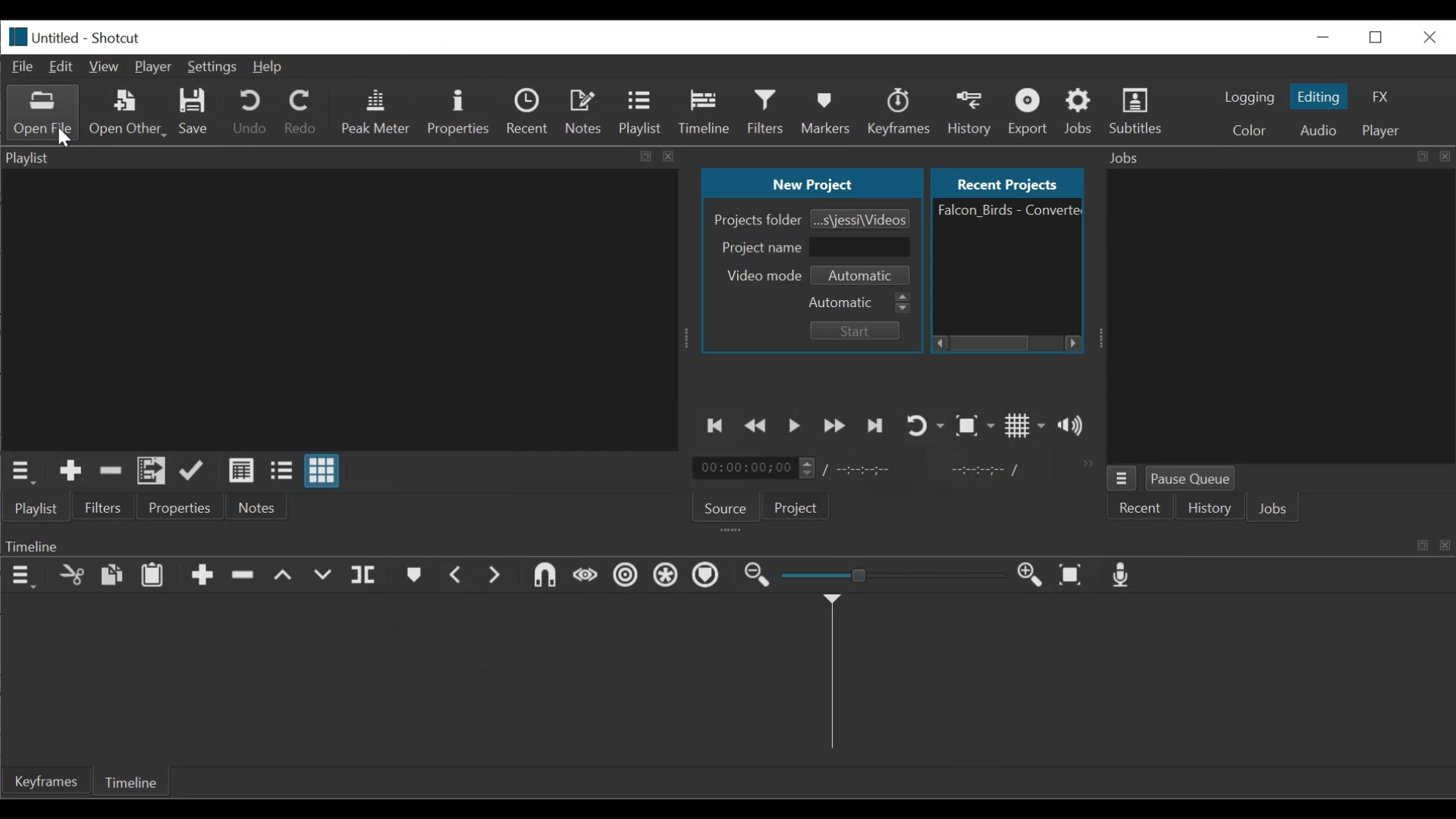 The image size is (1456, 819). I want to click on Jobs Panel, so click(1279, 316).